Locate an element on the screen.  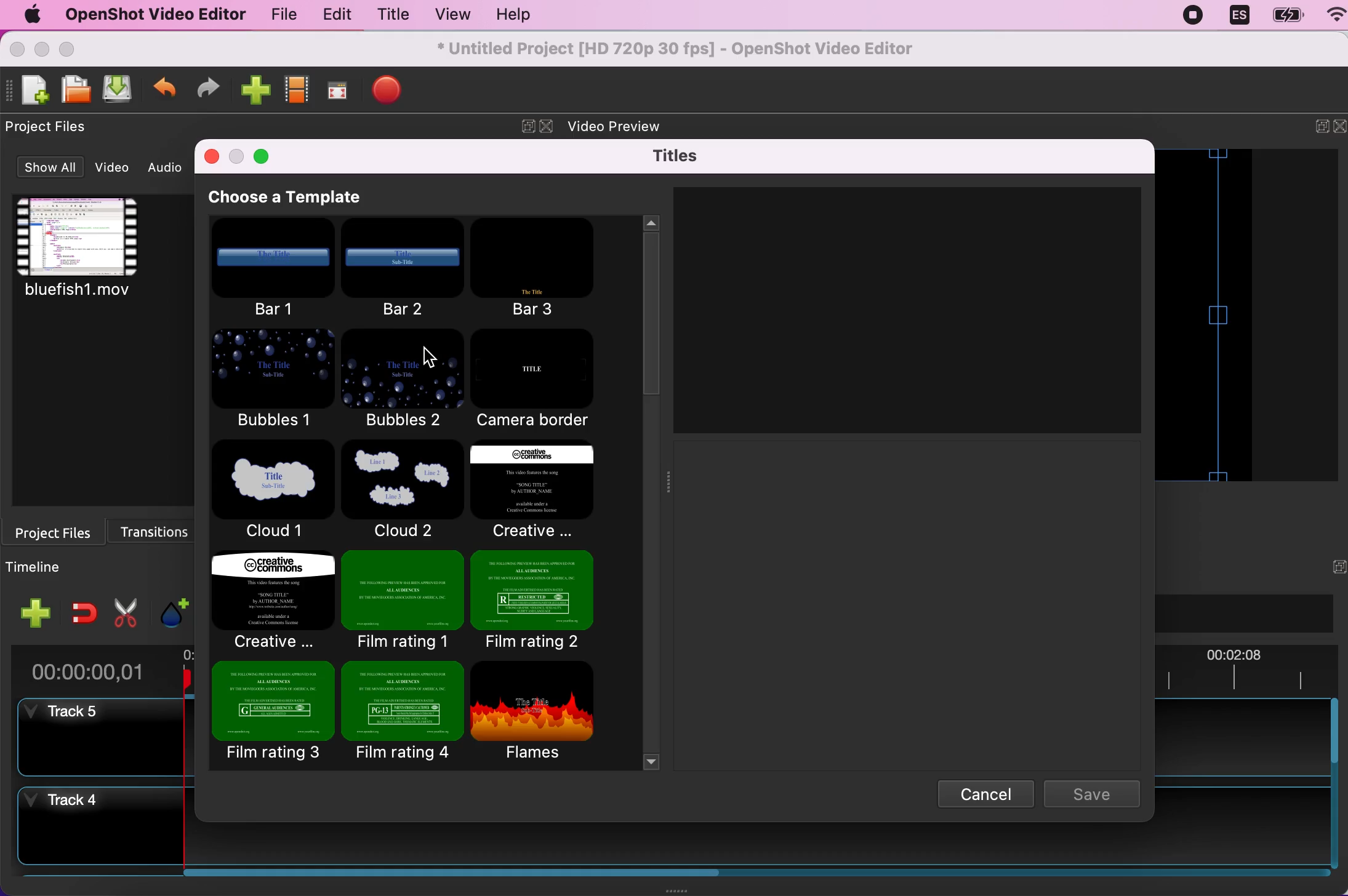
close is located at coordinates (18, 49).